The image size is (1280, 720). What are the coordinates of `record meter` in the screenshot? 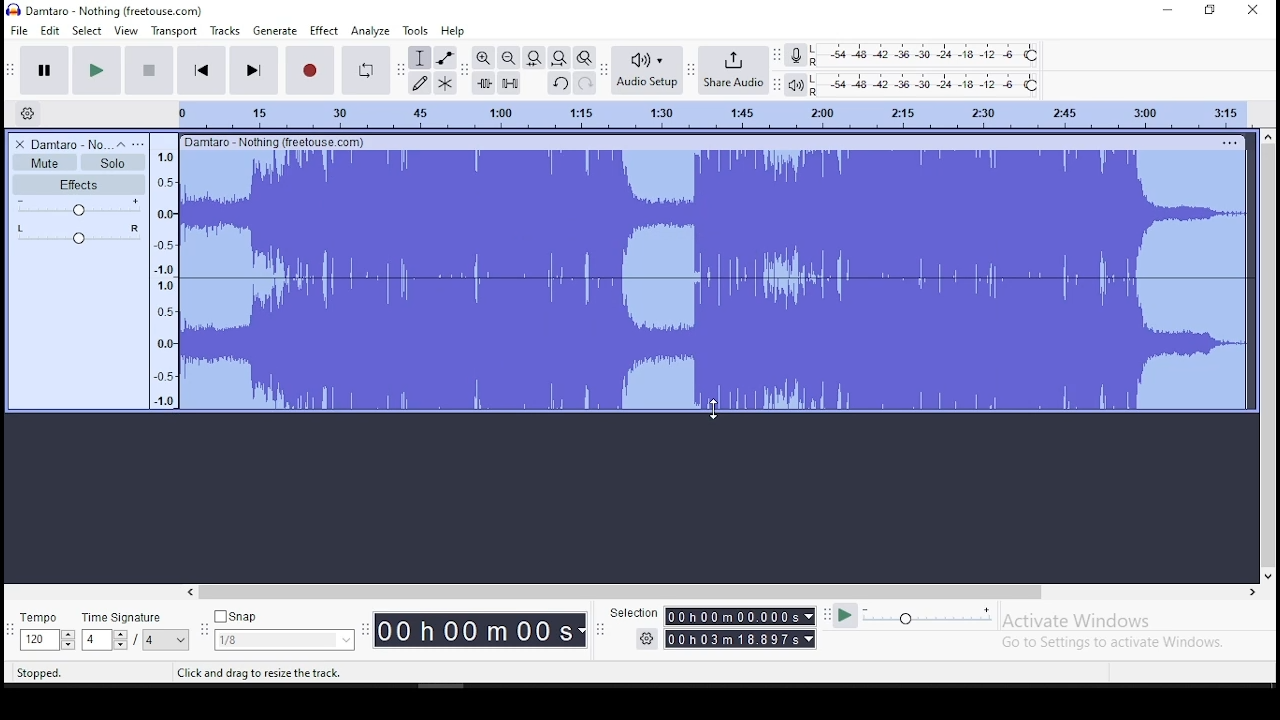 It's located at (796, 57).